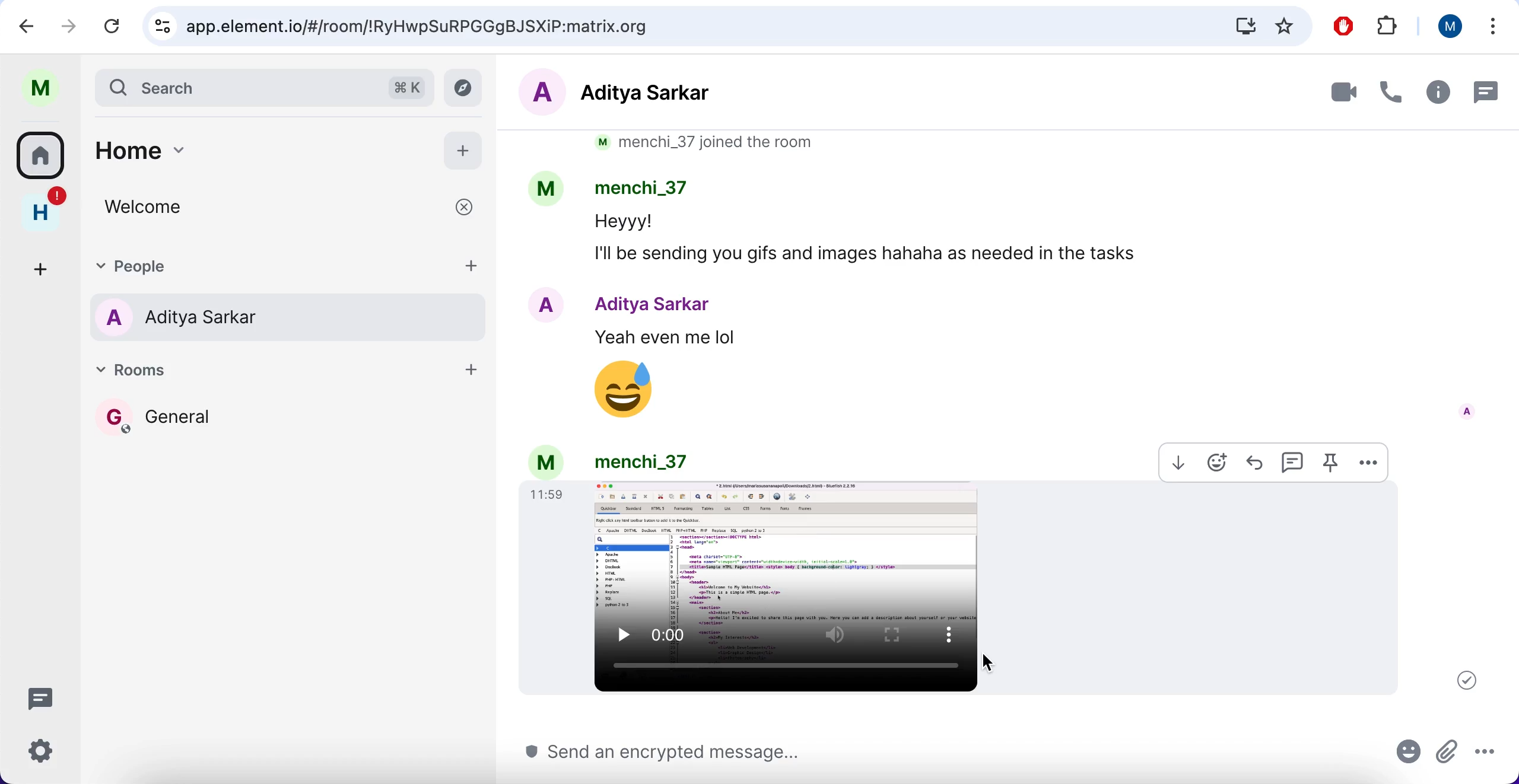 This screenshot has height=784, width=1519. What do you see at coordinates (1469, 677) in the screenshot?
I see `your message was sent` at bounding box center [1469, 677].